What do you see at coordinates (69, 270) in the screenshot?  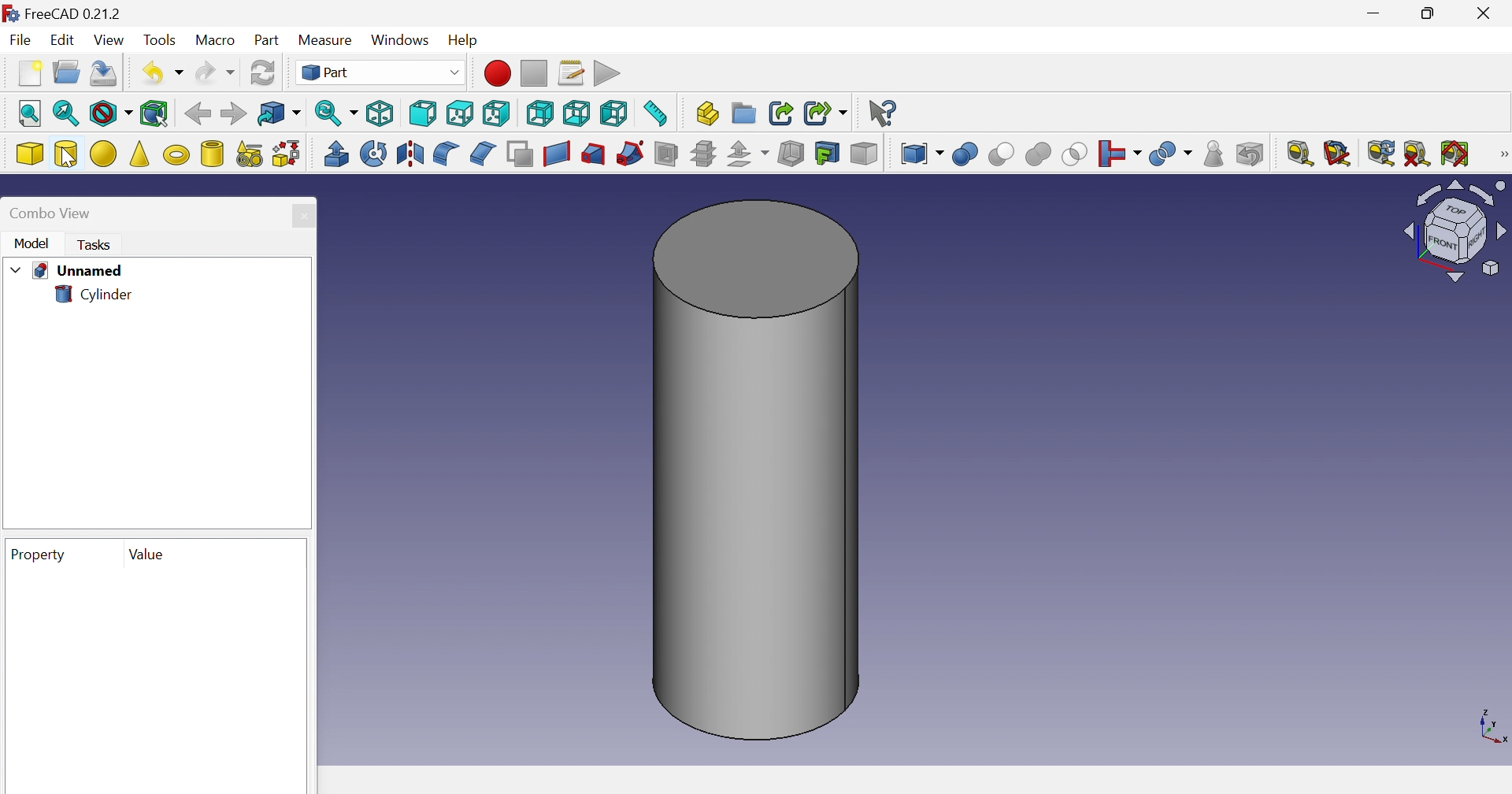 I see `Unnamed` at bounding box center [69, 270].